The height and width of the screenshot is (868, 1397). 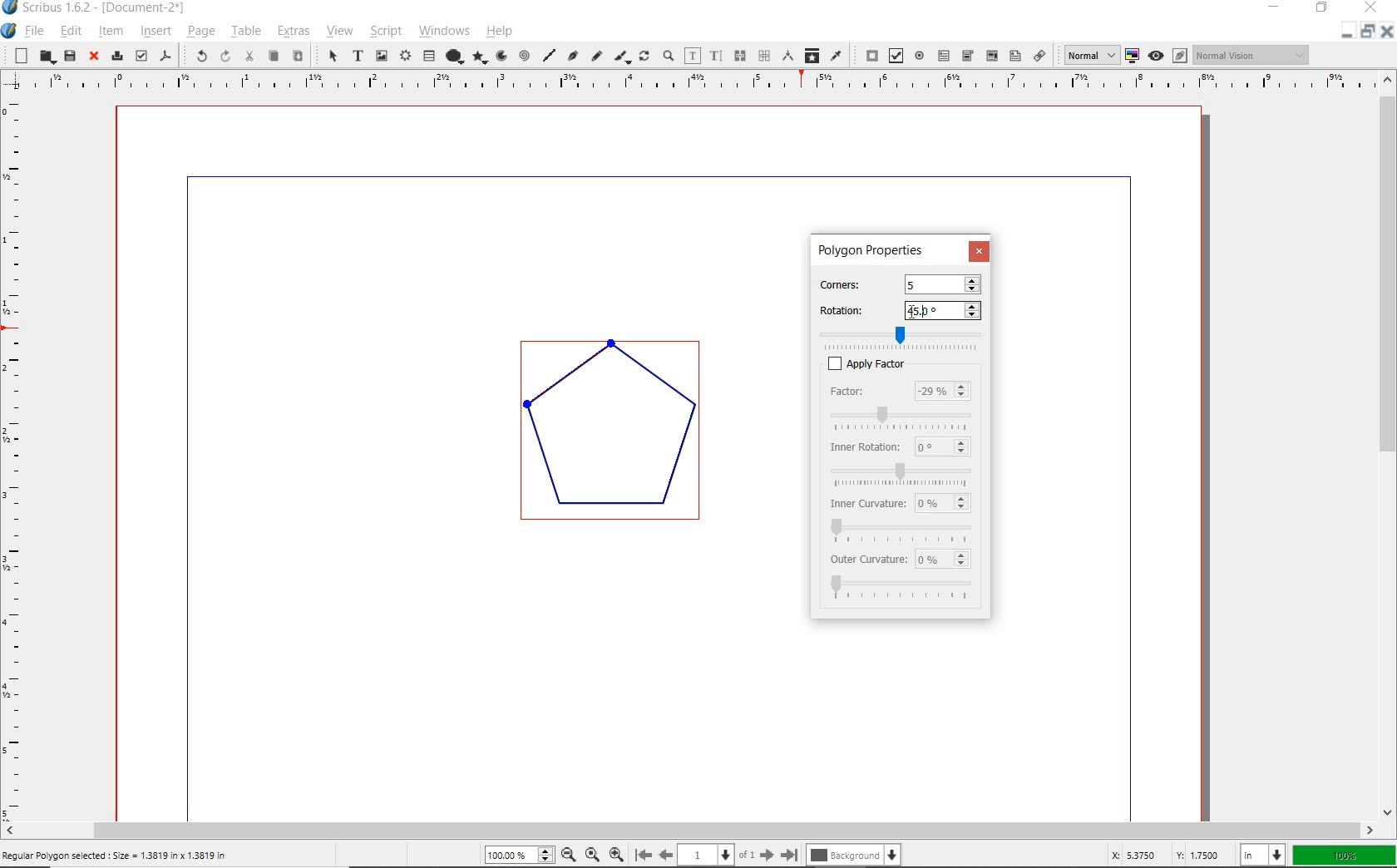 I want to click on ruler, so click(x=17, y=456).